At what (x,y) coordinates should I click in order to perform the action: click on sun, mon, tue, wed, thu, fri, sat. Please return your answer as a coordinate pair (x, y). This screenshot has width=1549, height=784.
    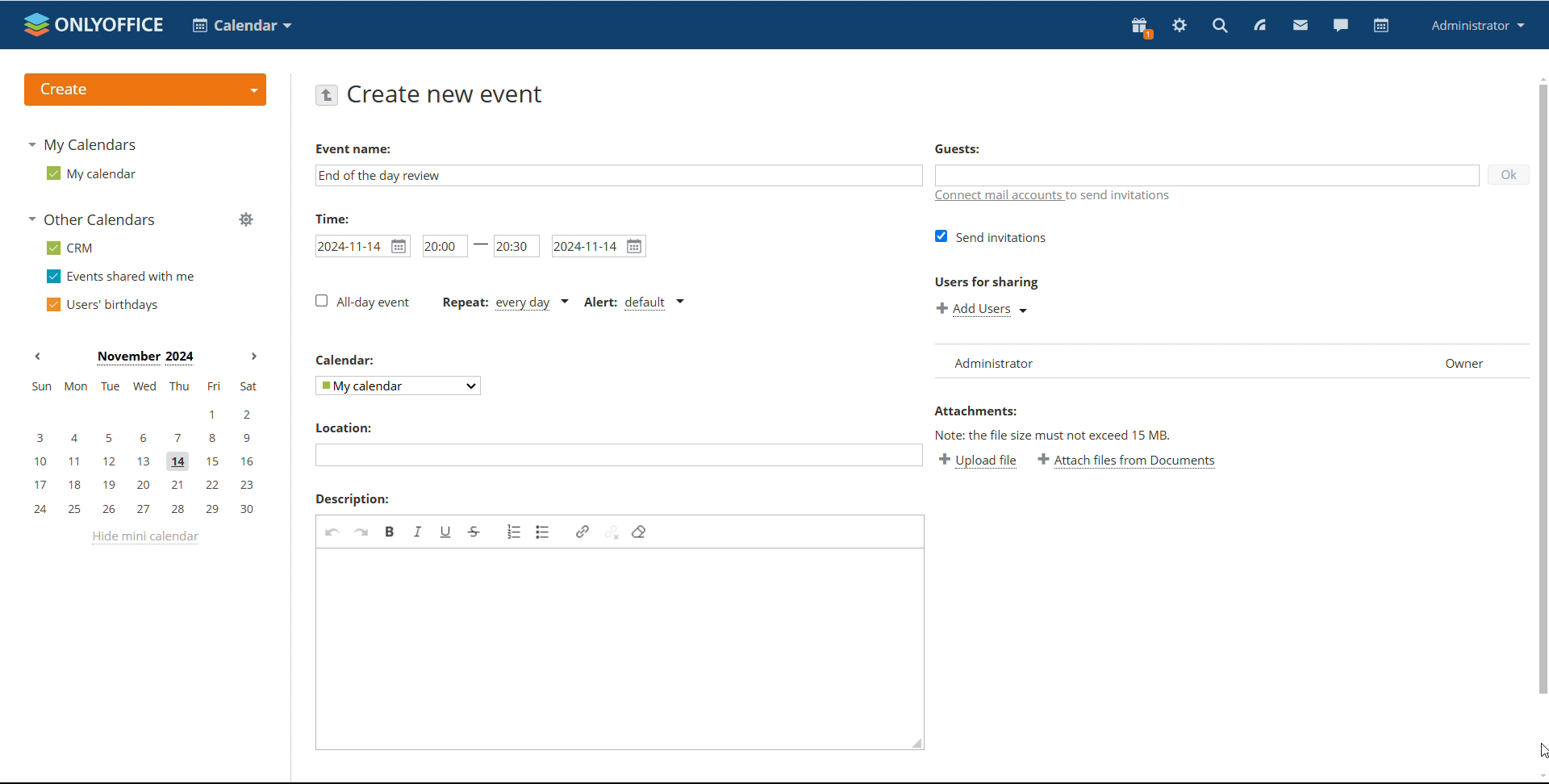
    Looking at the image, I should click on (143, 386).